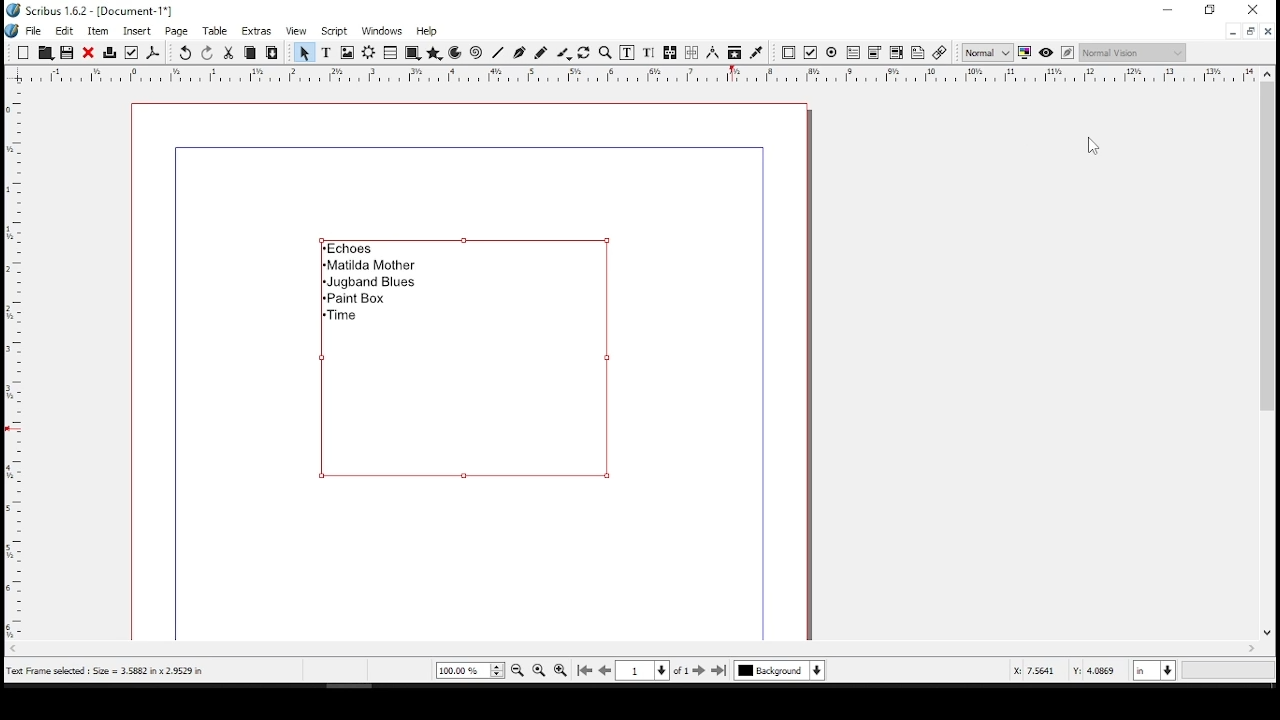 Image resolution: width=1280 pixels, height=720 pixels. I want to click on close window, so click(1256, 9).